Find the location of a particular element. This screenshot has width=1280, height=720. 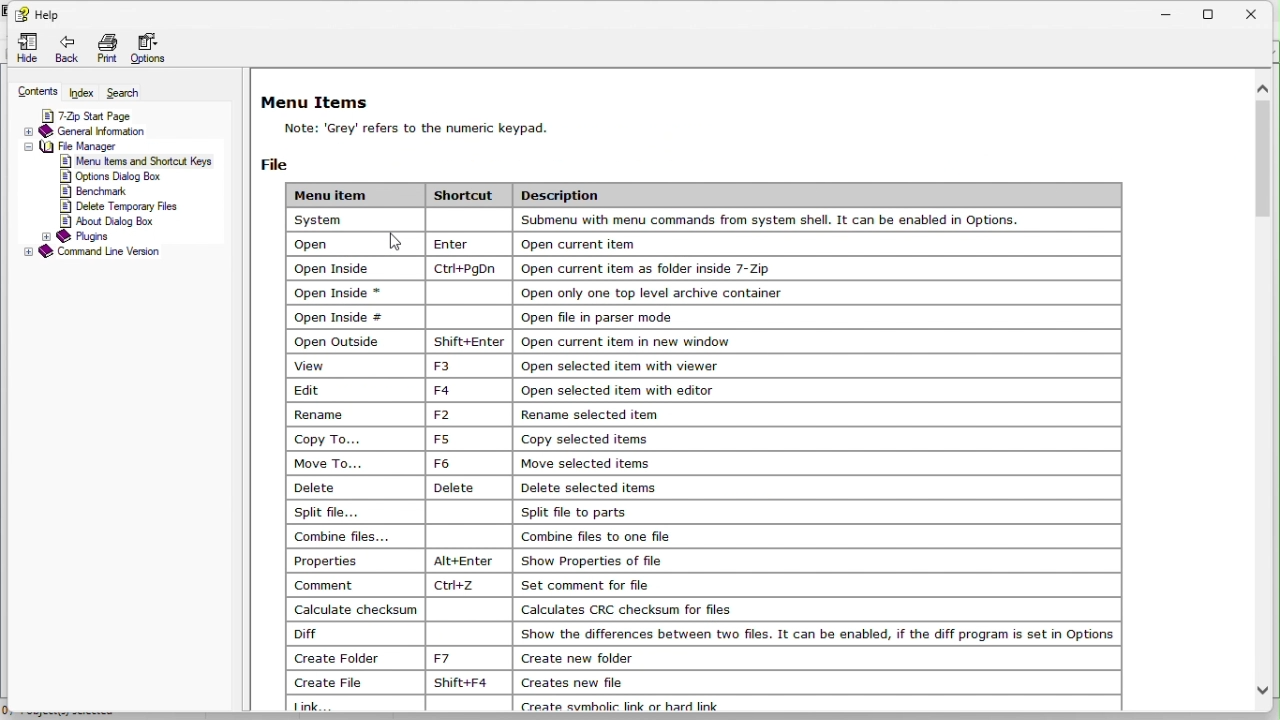

Minimize is located at coordinates (1168, 11).